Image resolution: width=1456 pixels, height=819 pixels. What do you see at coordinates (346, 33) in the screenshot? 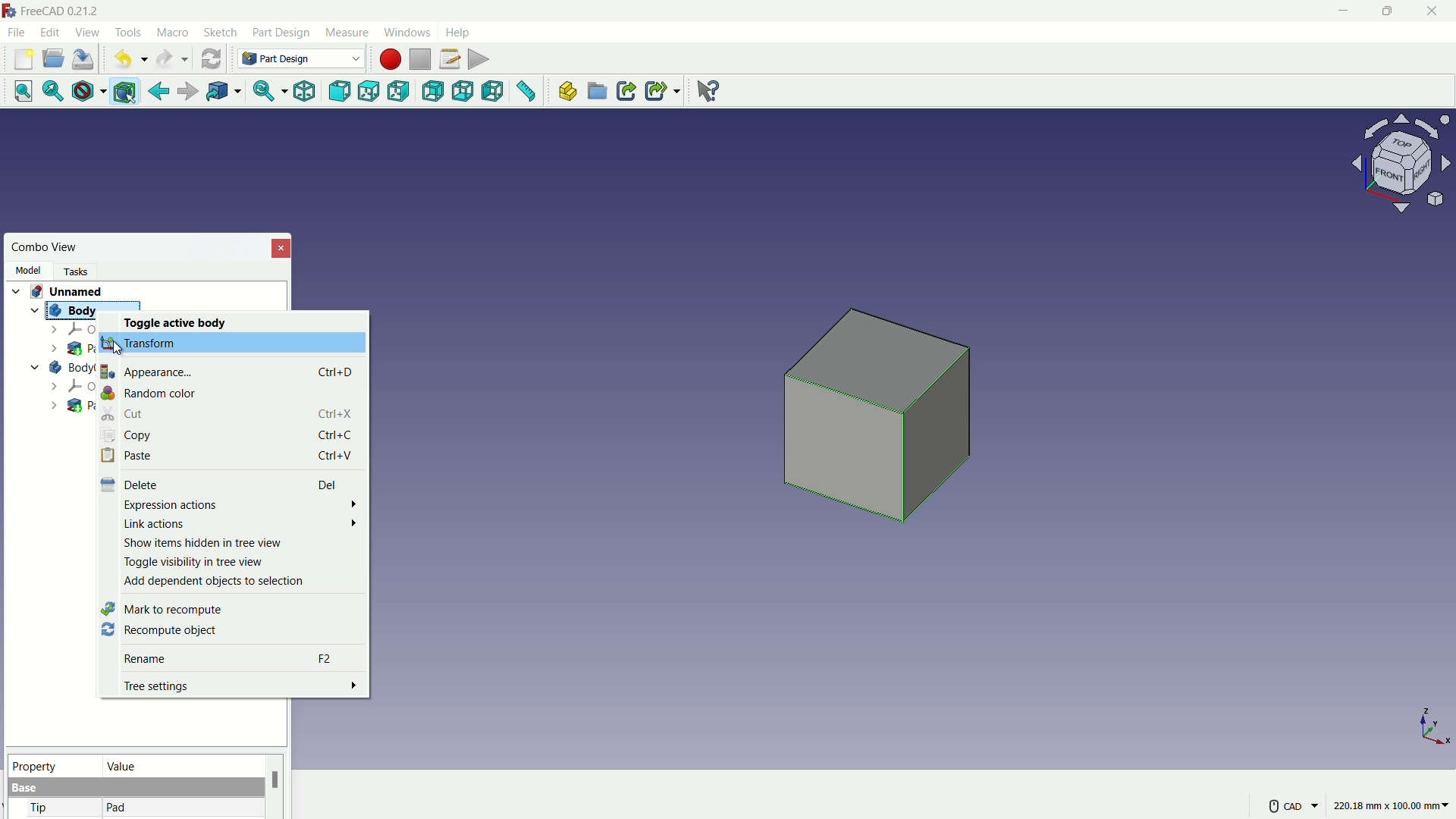
I see `measure` at bounding box center [346, 33].